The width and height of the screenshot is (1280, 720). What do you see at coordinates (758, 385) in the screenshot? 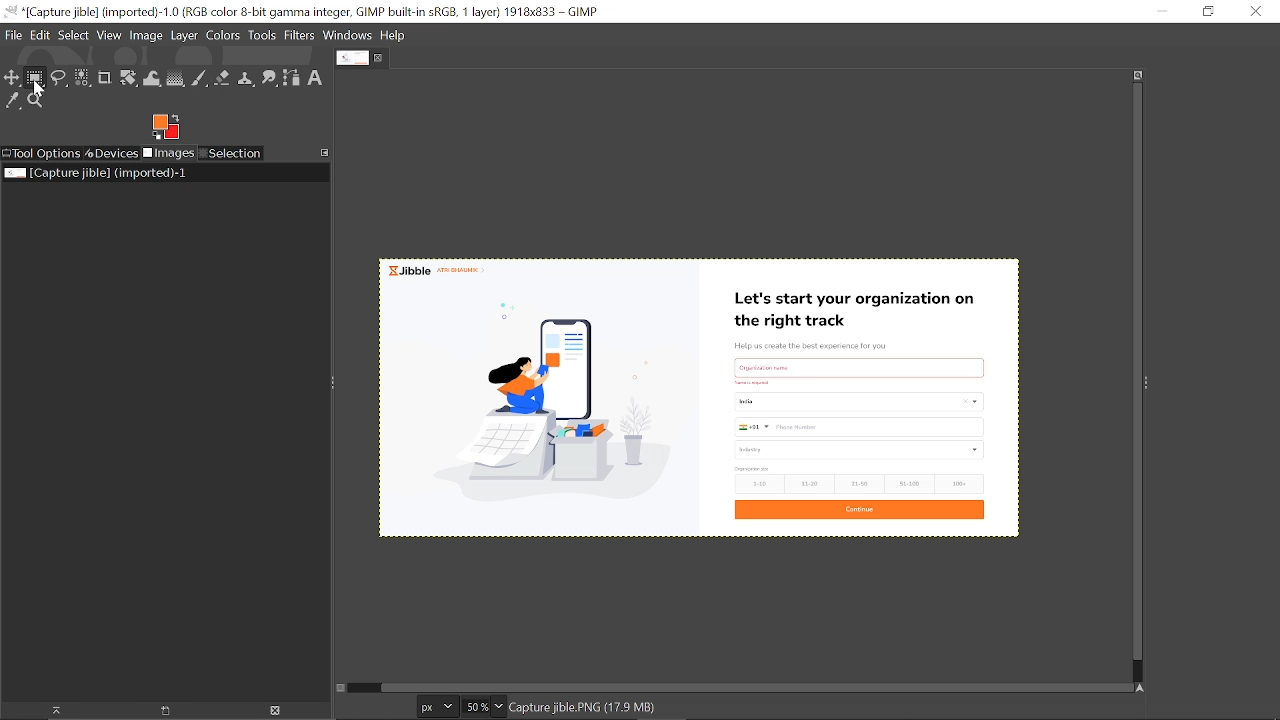
I see `text` at bounding box center [758, 385].